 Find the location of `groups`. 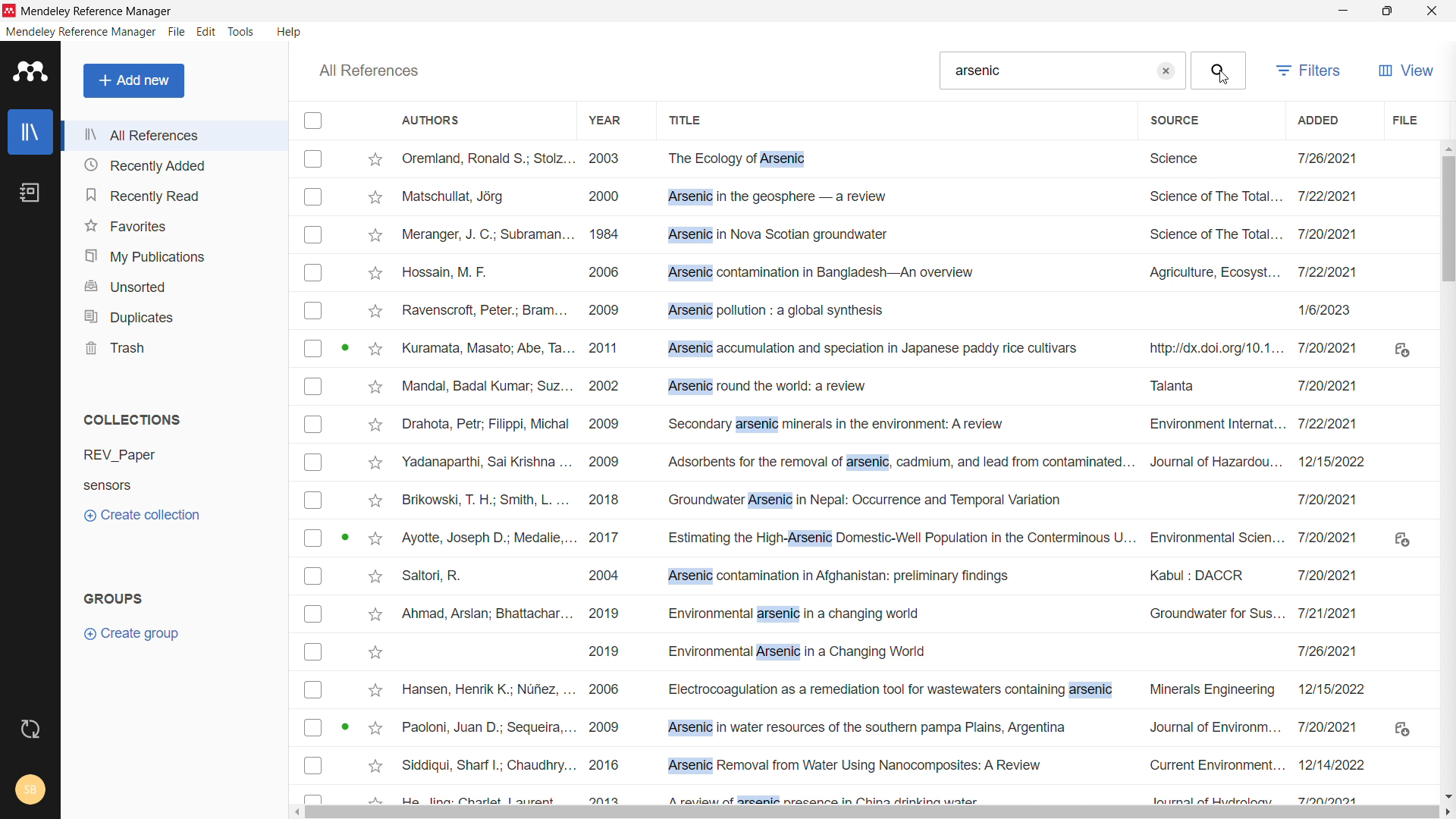

groups is located at coordinates (114, 598).